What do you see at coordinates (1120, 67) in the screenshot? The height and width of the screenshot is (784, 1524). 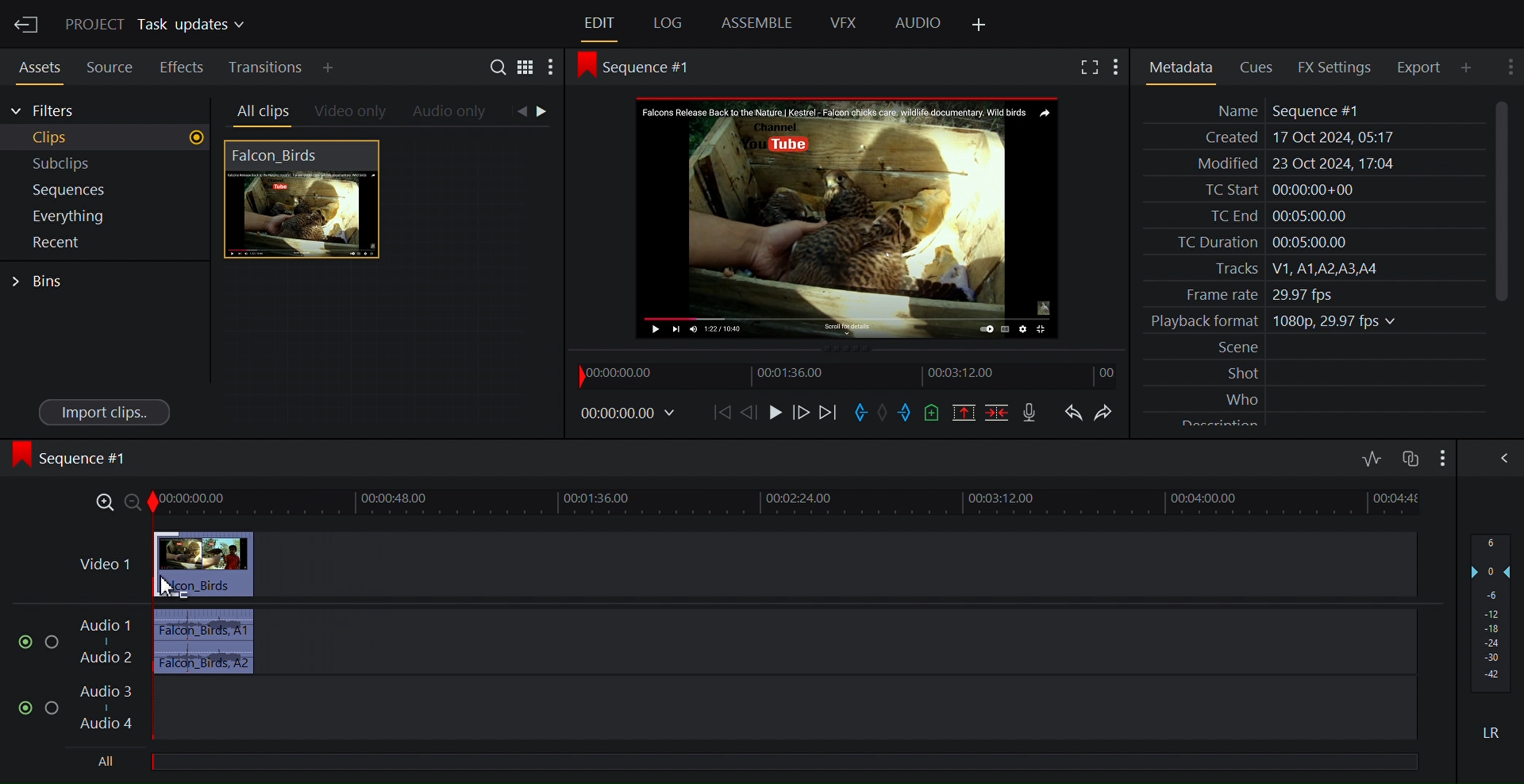 I see `Show settings menu` at bounding box center [1120, 67].